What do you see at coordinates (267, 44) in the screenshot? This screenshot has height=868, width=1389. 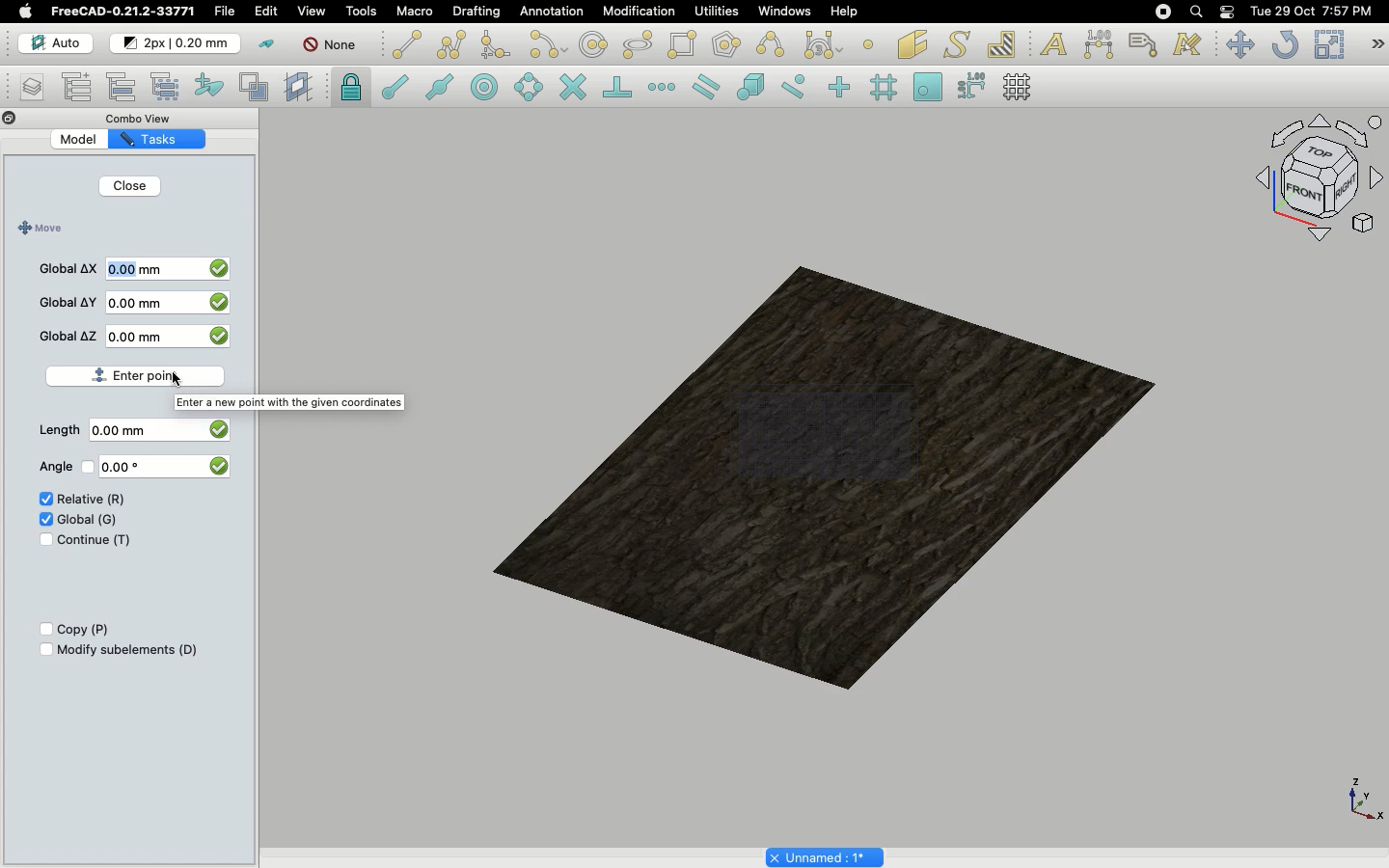 I see `Toggle construction mode` at bounding box center [267, 44].